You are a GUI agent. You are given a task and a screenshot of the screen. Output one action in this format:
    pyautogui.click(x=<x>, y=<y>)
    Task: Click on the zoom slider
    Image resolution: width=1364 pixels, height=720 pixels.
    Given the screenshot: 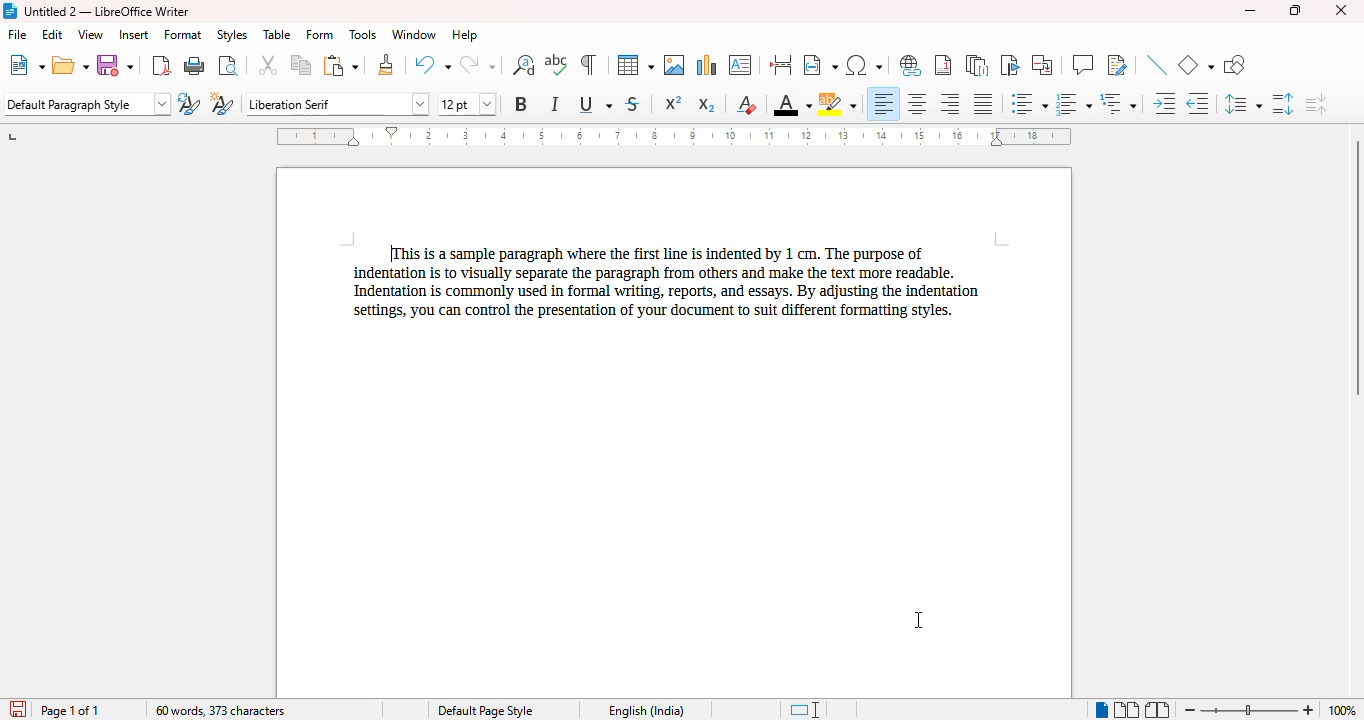 What is the action you would take?
    pyautogui.click(x=1252, y=710)
    